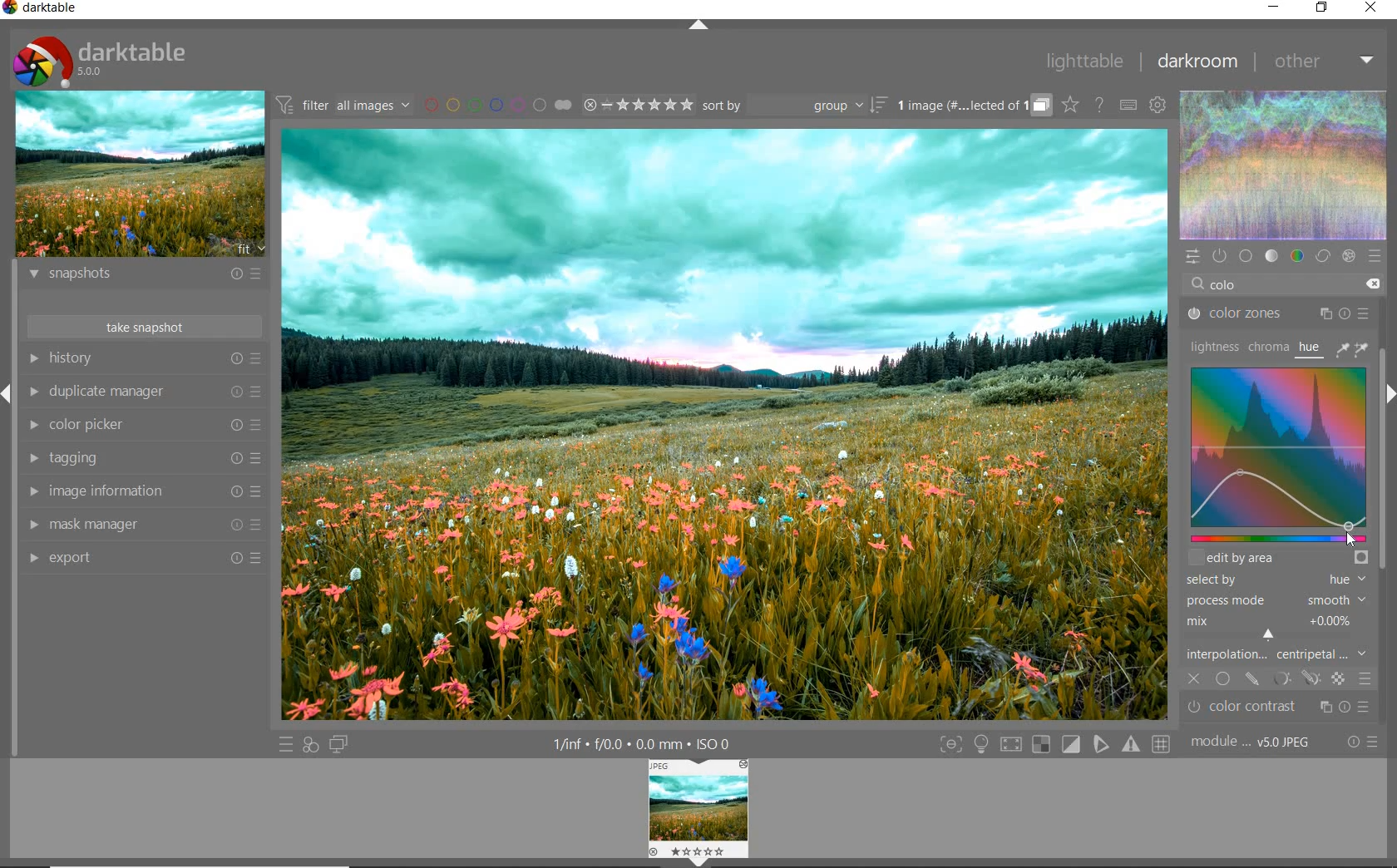 The image size is (1397, 868). I want to click on quick access panel, so click(1194, 257).